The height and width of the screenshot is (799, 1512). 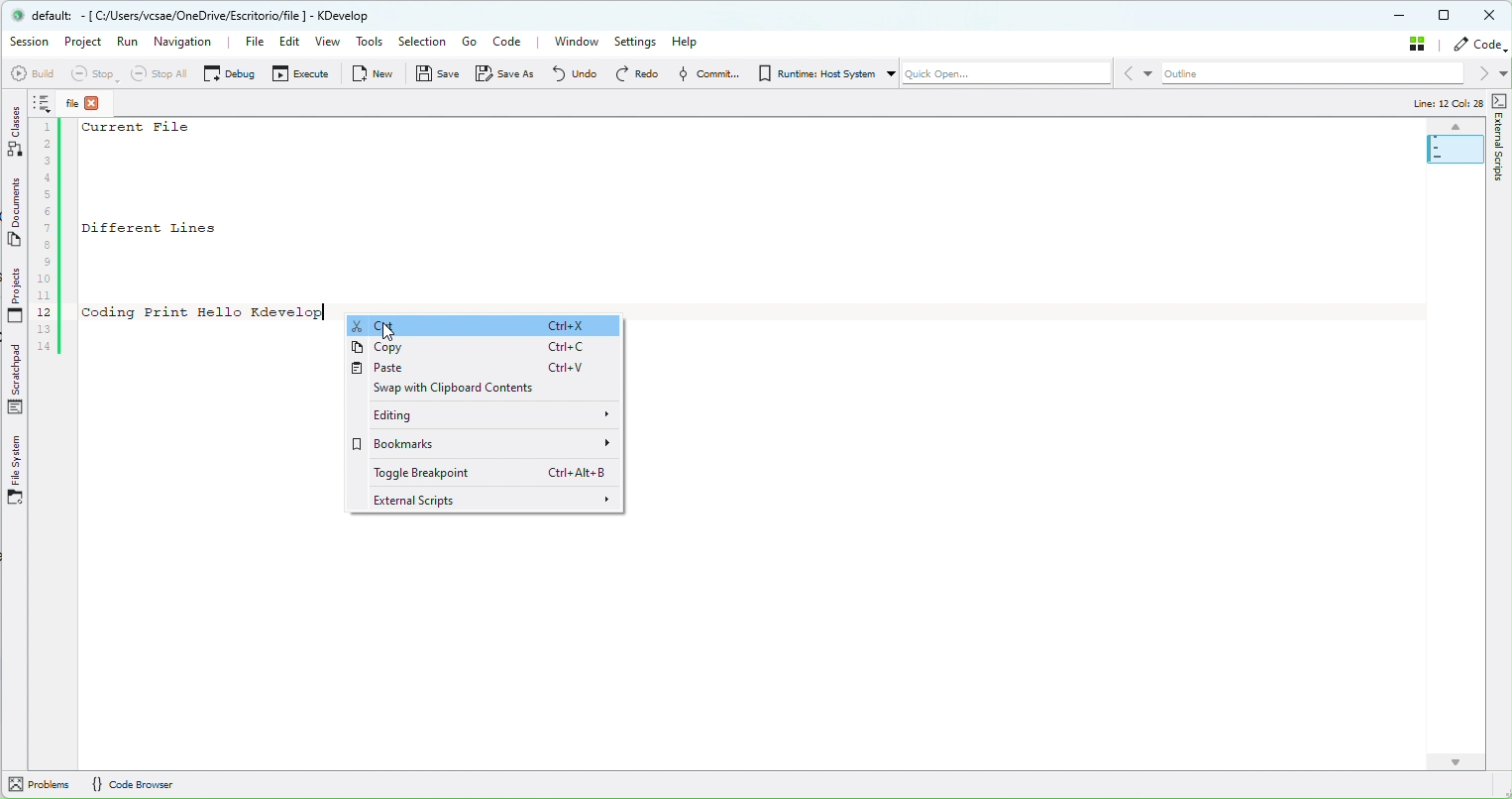 I want to click on Line: 12 Col: 28, so click(x=1448, y=104).